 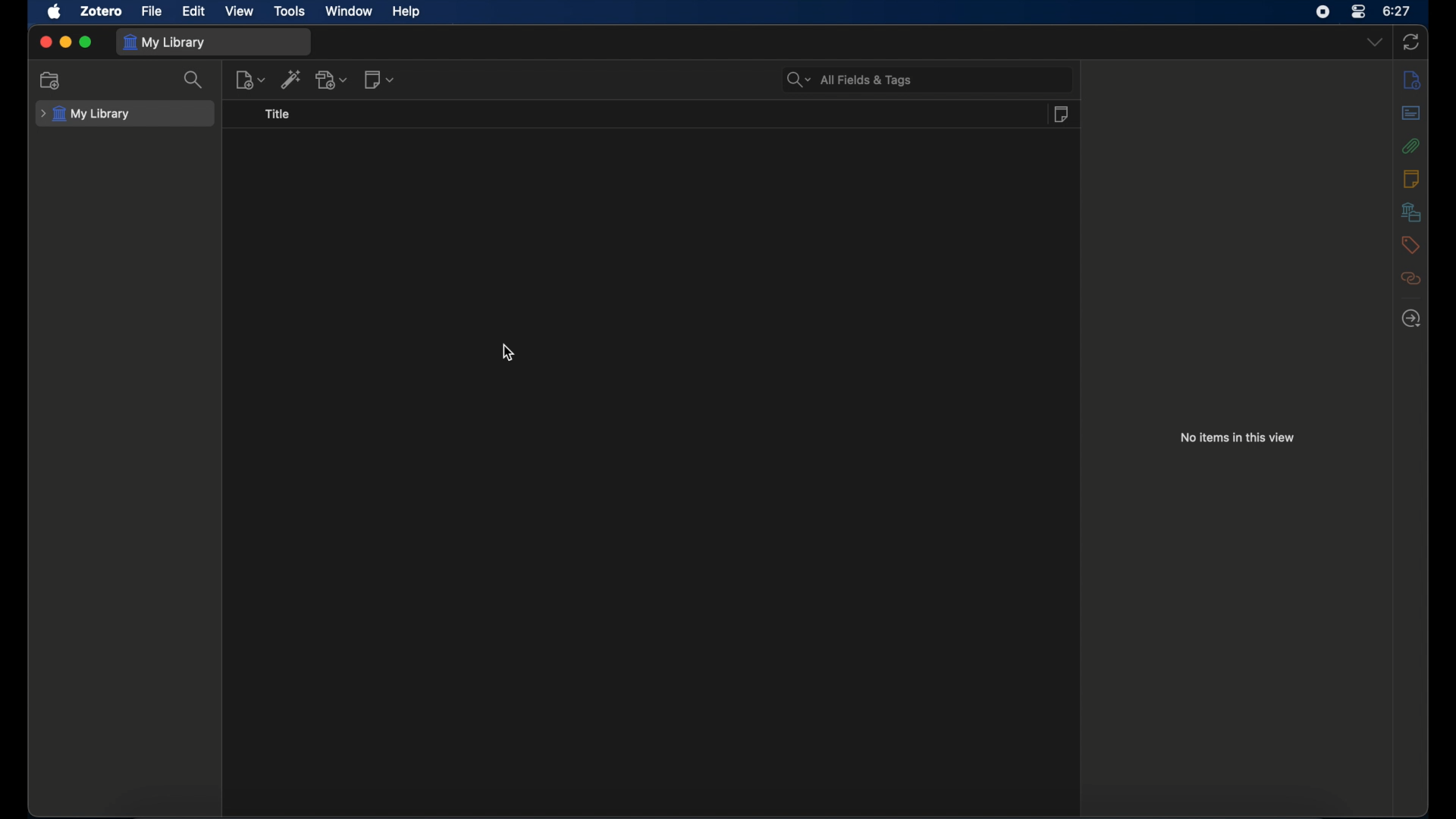 I want to click on maximize, so click(x=86, y=42).